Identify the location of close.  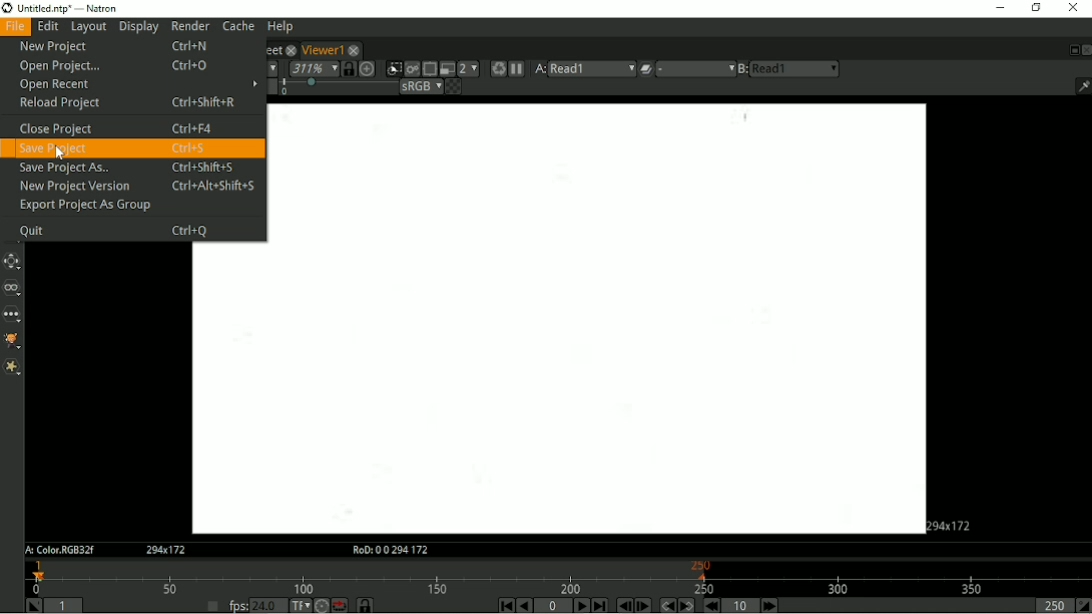
(355, 51).